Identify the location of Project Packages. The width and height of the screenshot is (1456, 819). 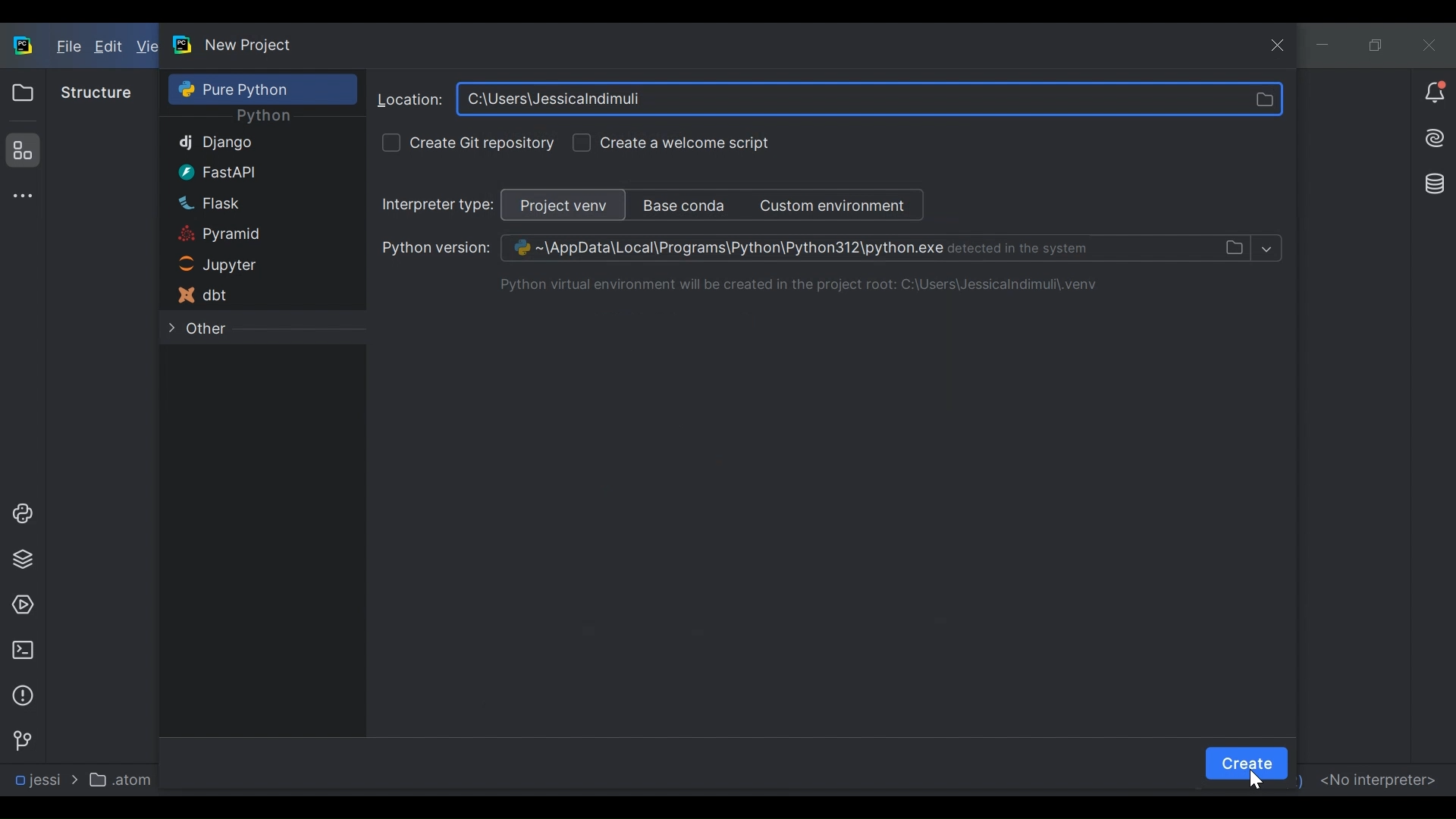
(20, 560).